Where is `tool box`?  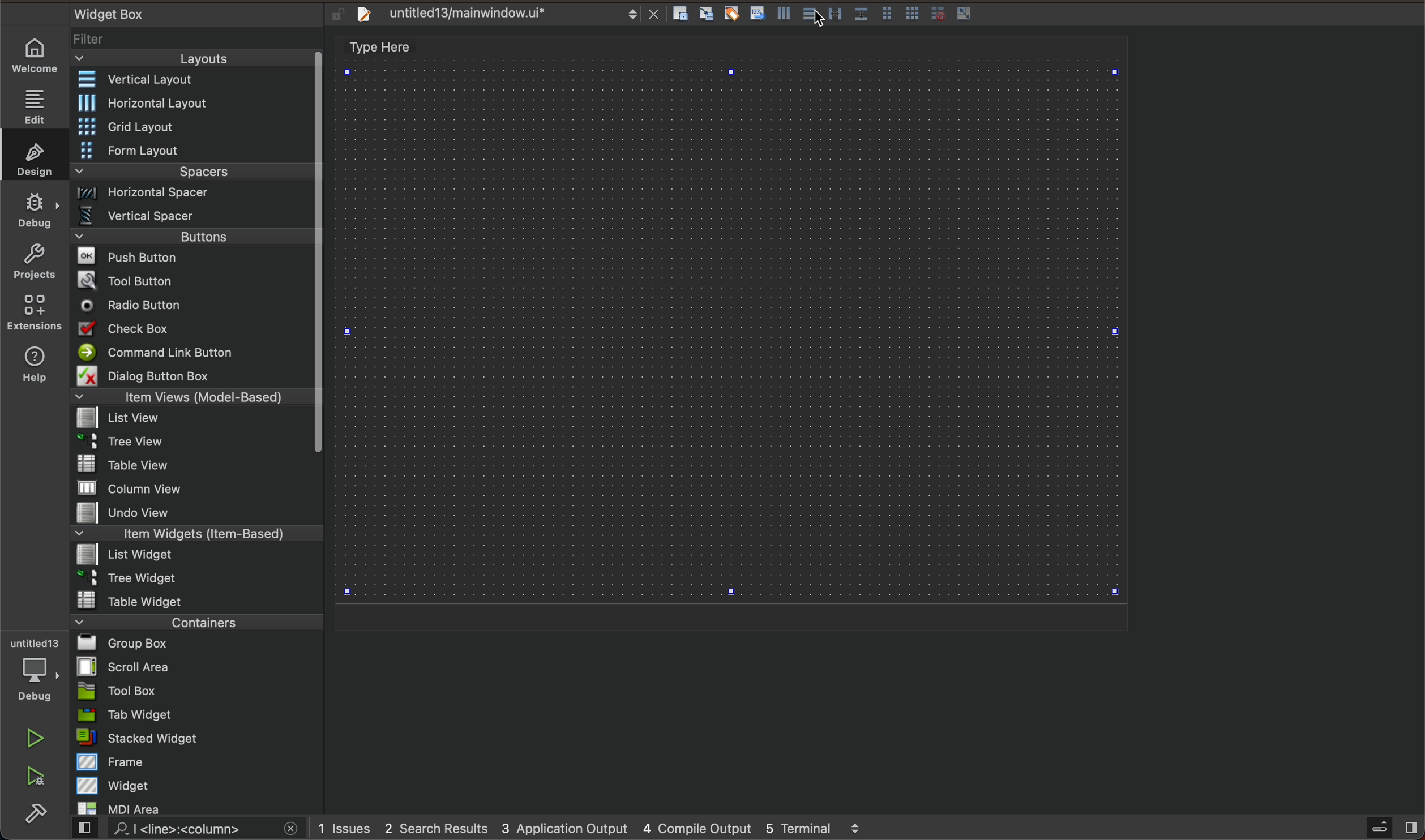
tool box is located at coordinates (192, 691).